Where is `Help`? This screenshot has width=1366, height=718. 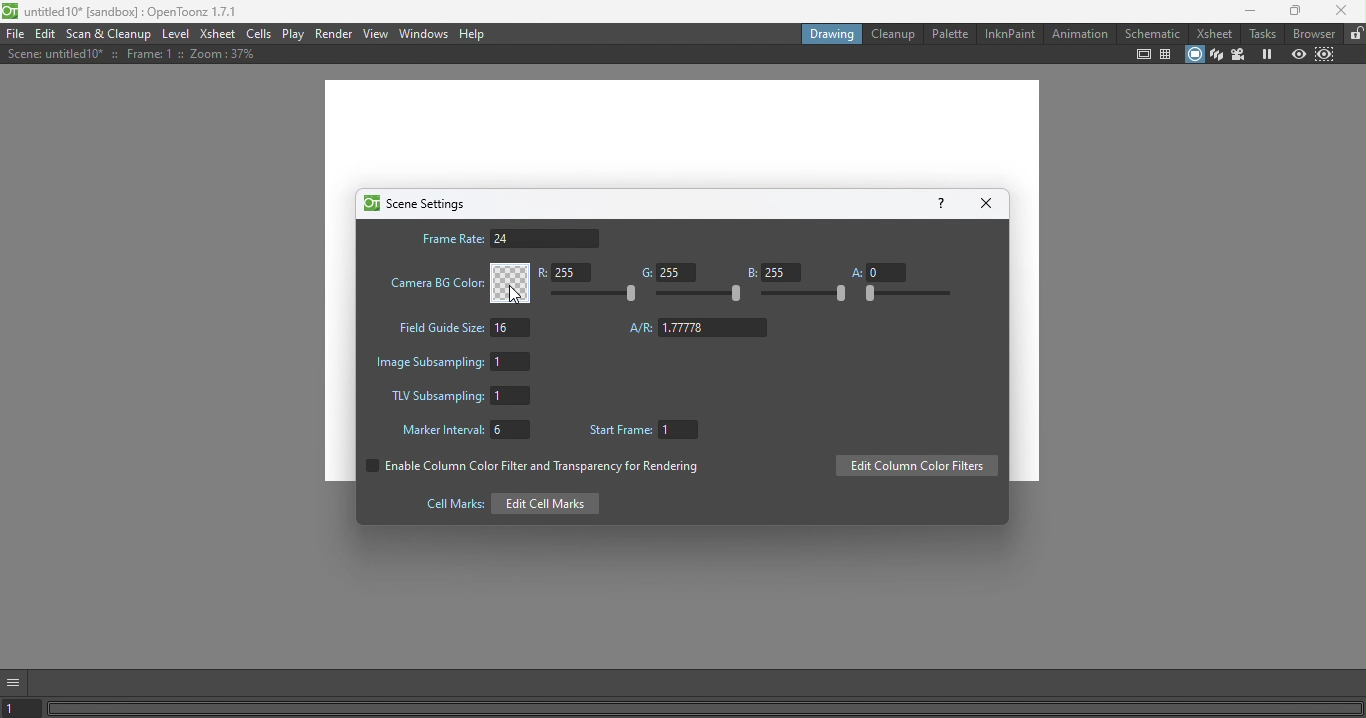
Help is located at coordinates (940, 202).